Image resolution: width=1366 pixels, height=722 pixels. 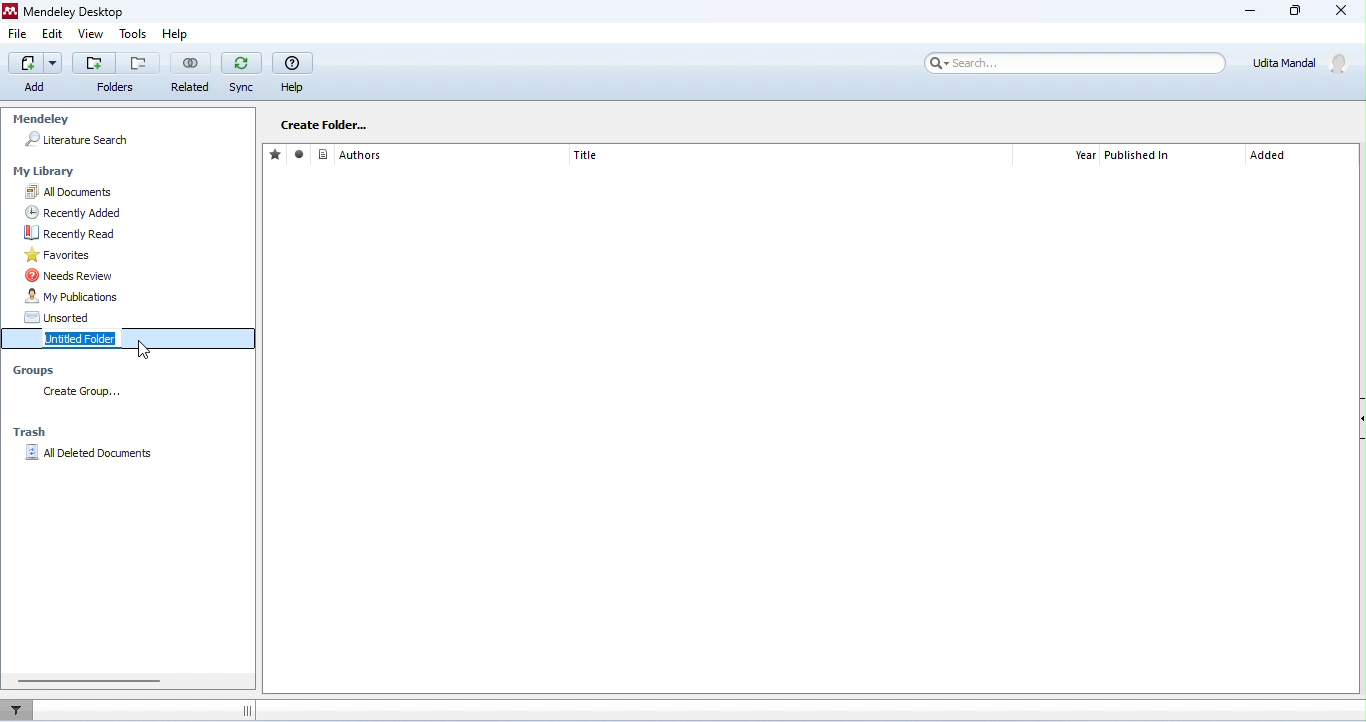 I want to click on favorite, so click(x=277, y=154).